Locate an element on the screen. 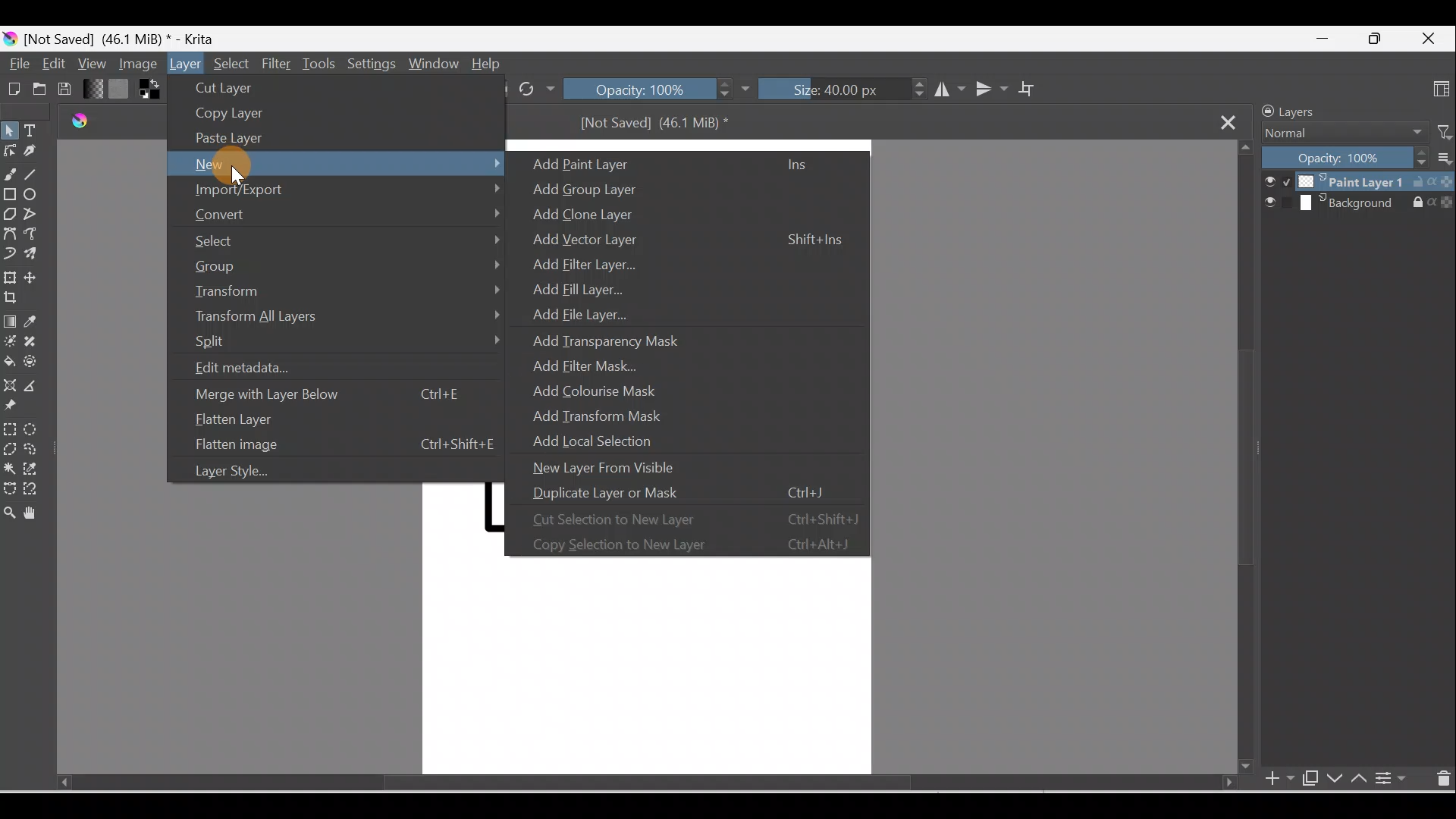 This screenshot has width=1456, height=819. Polygonal selection is located at coordinates (9, 447).